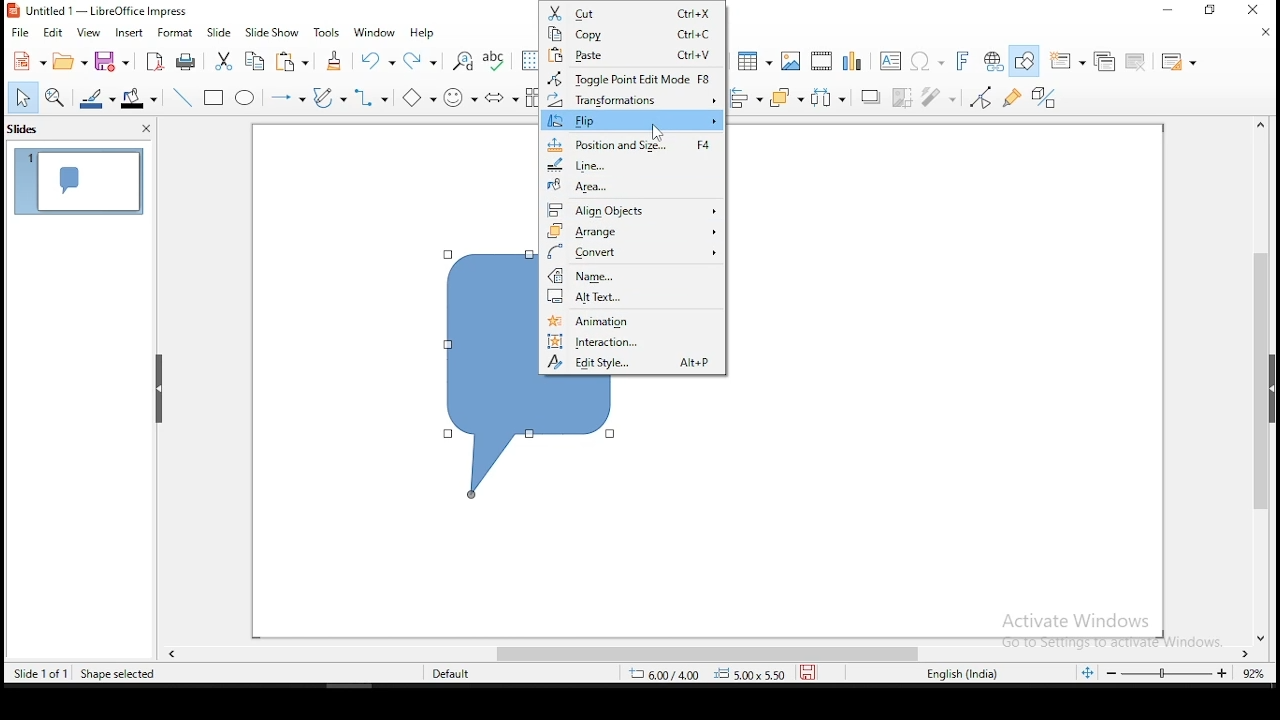 Image resolution: width=1280 pixels, height=720 pixels. What do you see at coordinates (419, 98) in the screenshot?
I see `basic shapes` at bounding box center [419, 98].